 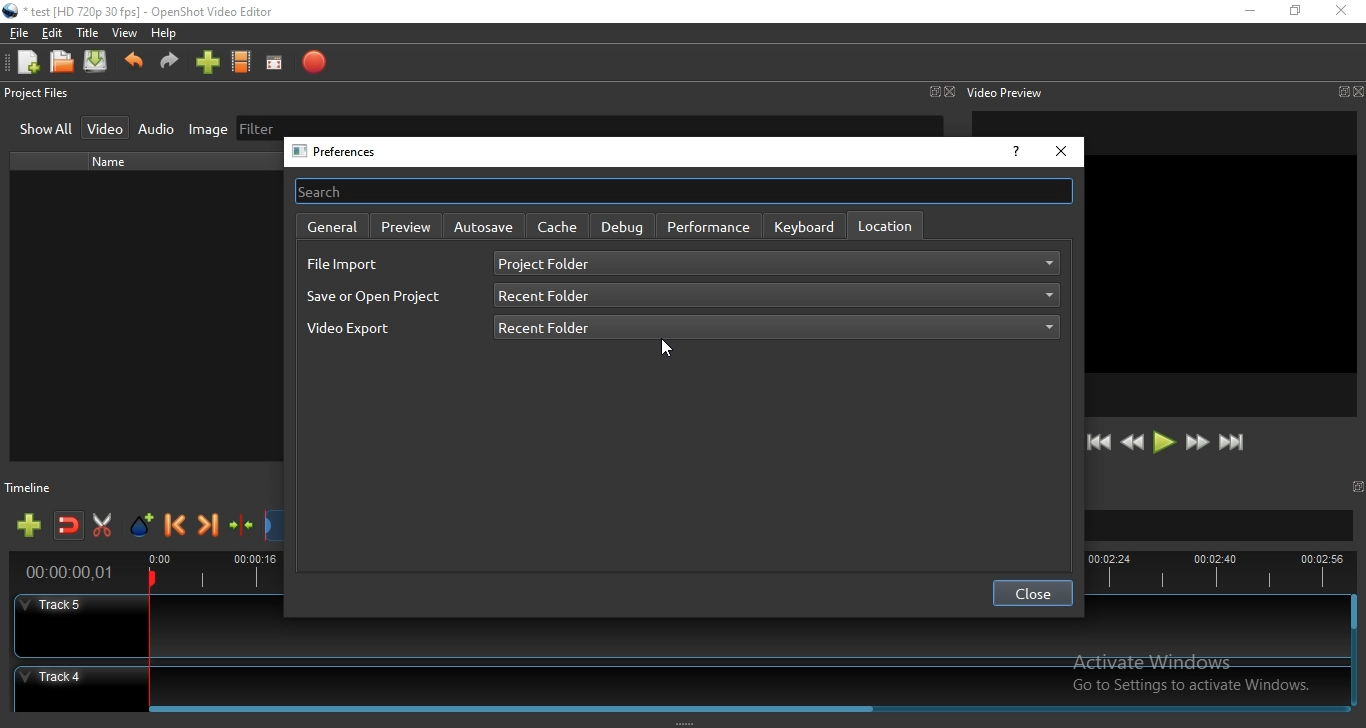 What do you see at coordinates (884, 225) in the screenshot?
I see `location` at bounding box center [884, 225].